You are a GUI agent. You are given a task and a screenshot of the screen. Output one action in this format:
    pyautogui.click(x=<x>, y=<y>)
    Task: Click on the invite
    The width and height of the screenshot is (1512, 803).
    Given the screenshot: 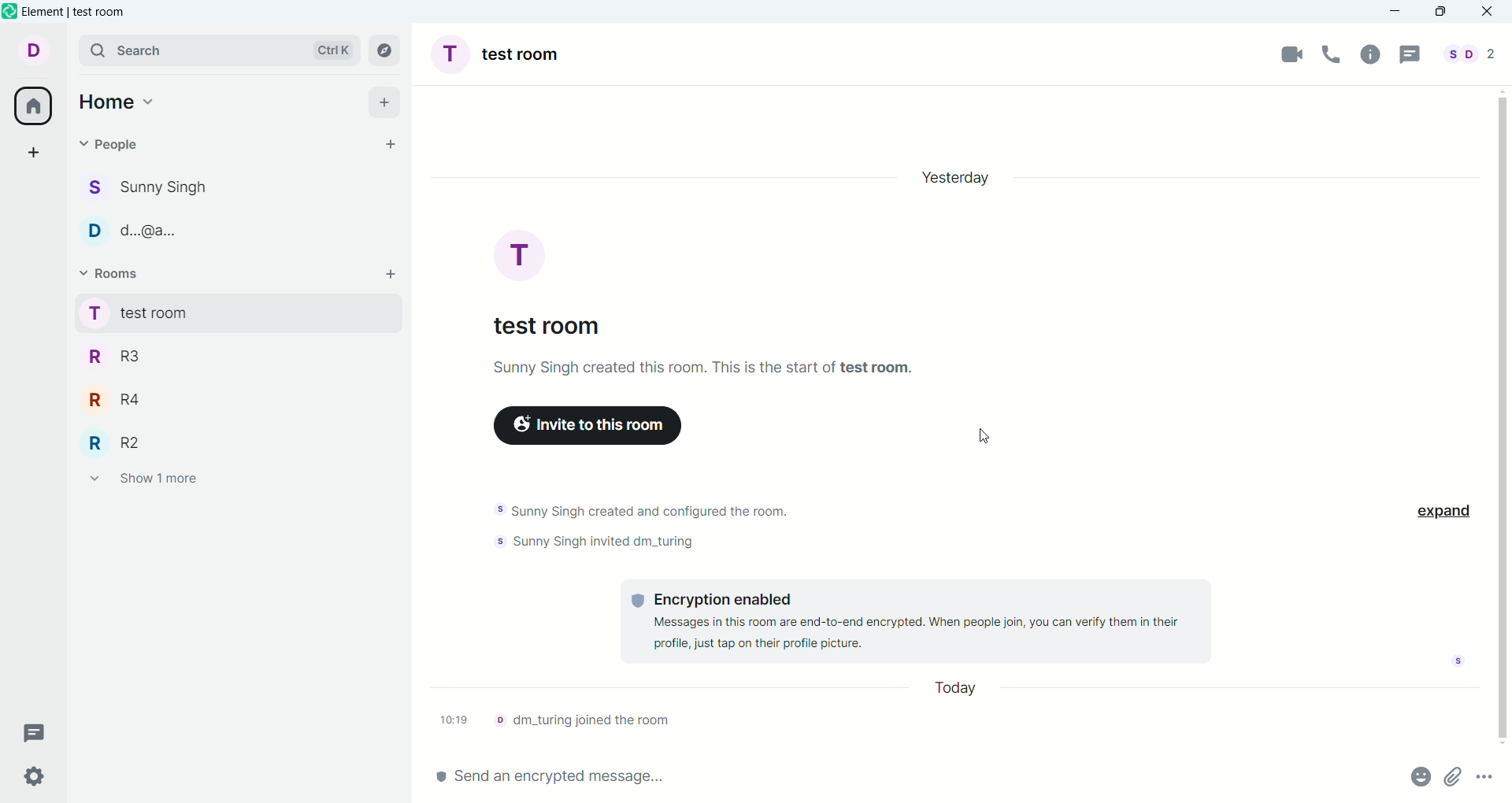 What is the action you would take?
    pyautogui.click(x=110, y=145)
    